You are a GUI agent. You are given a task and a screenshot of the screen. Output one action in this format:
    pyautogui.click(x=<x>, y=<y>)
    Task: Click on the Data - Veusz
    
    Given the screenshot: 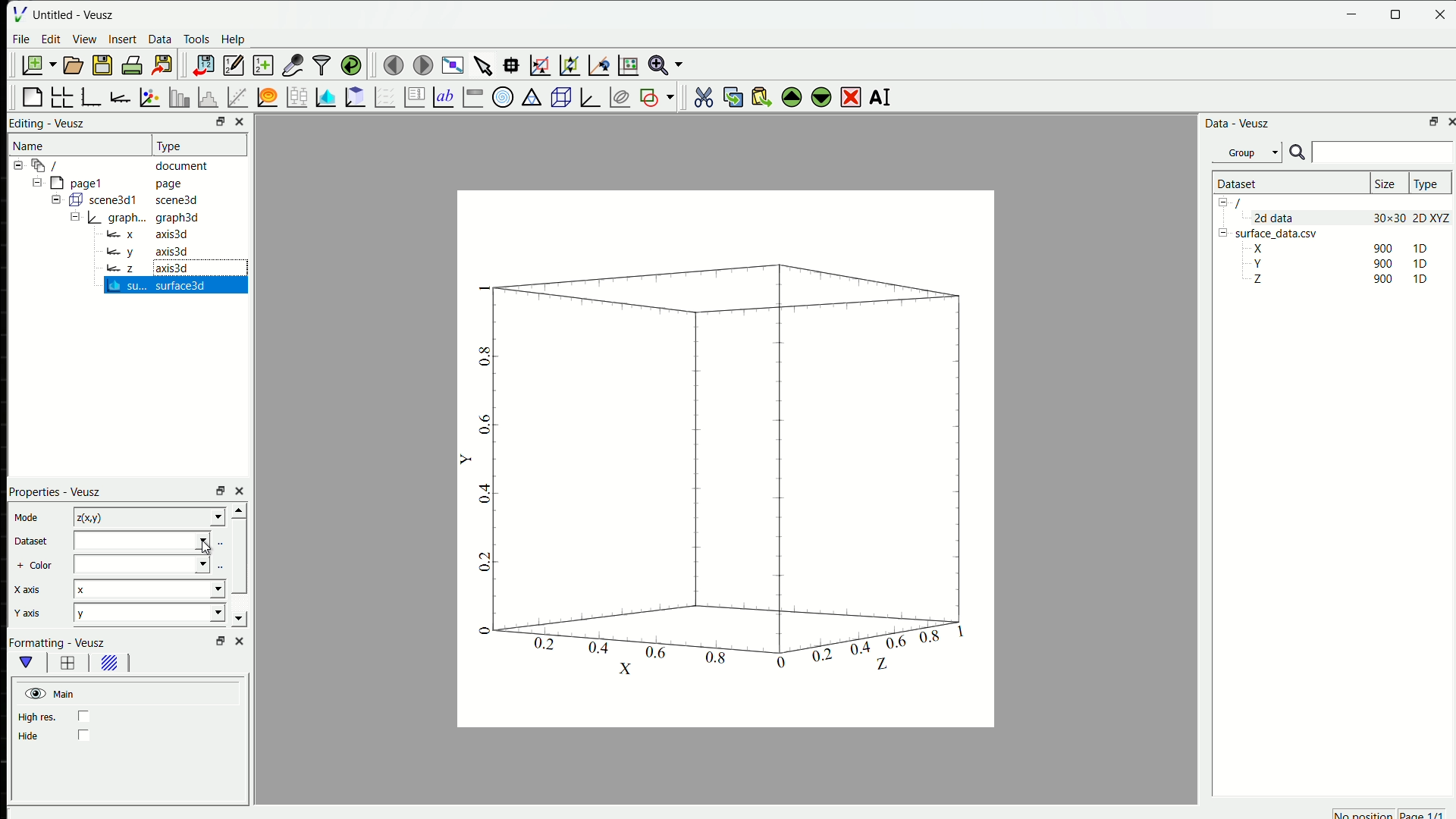 What is the action you would take?
    pyautogui.click(x=1239, y=124)
    